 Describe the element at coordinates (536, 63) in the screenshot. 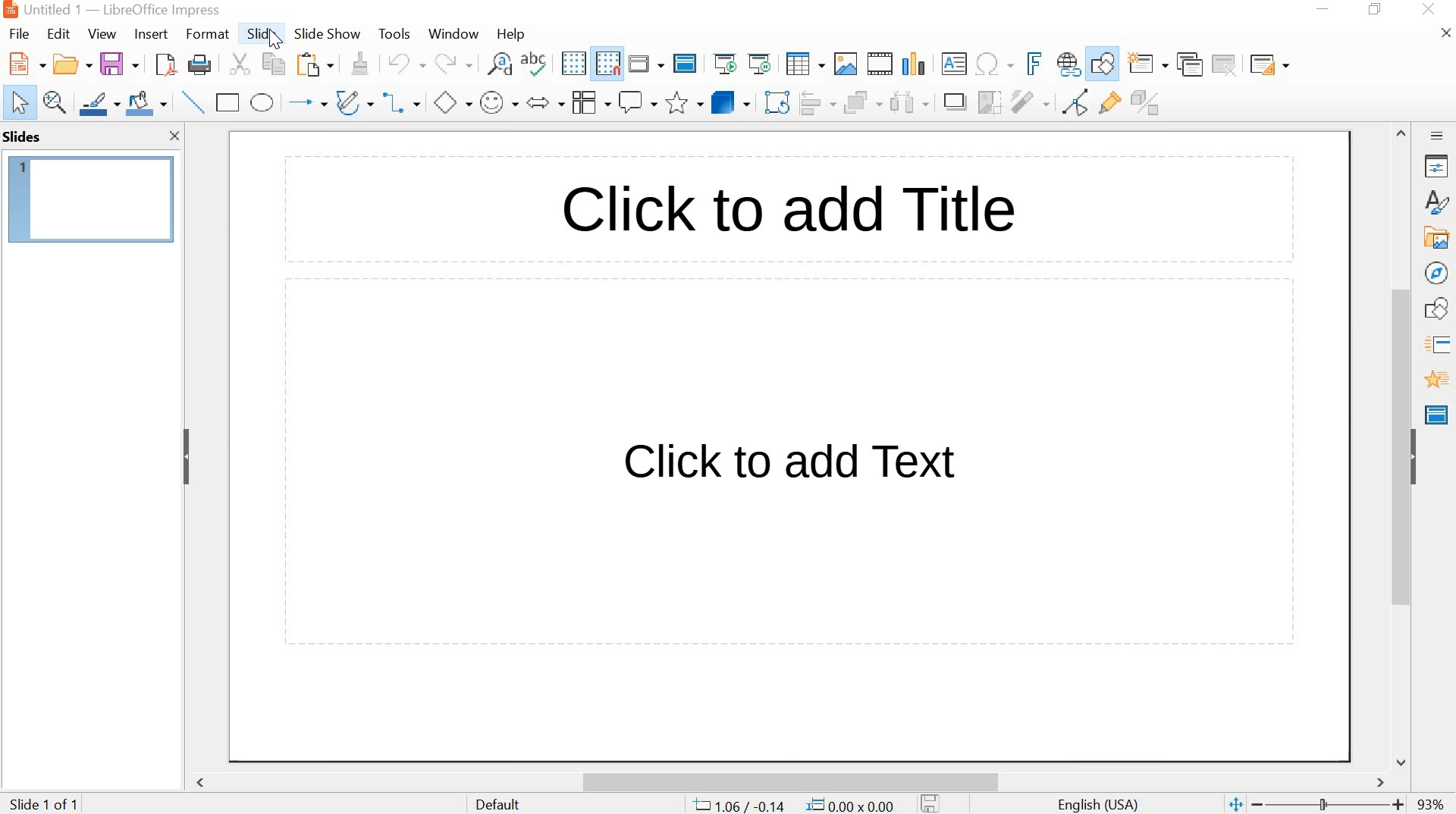

I see `Spelling` at that location.